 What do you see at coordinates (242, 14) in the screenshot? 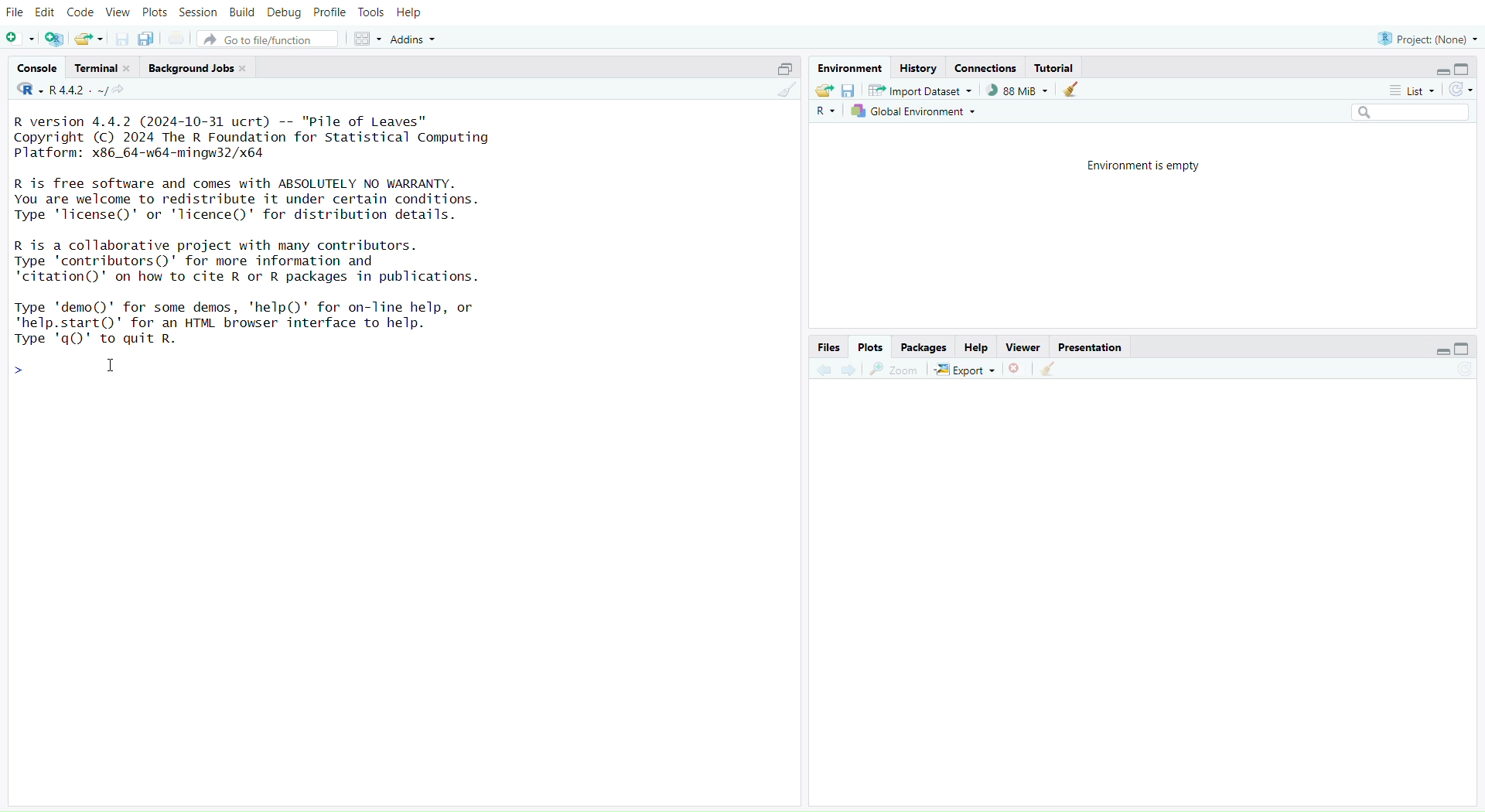
I see `build` at bounding box center [242, 14].